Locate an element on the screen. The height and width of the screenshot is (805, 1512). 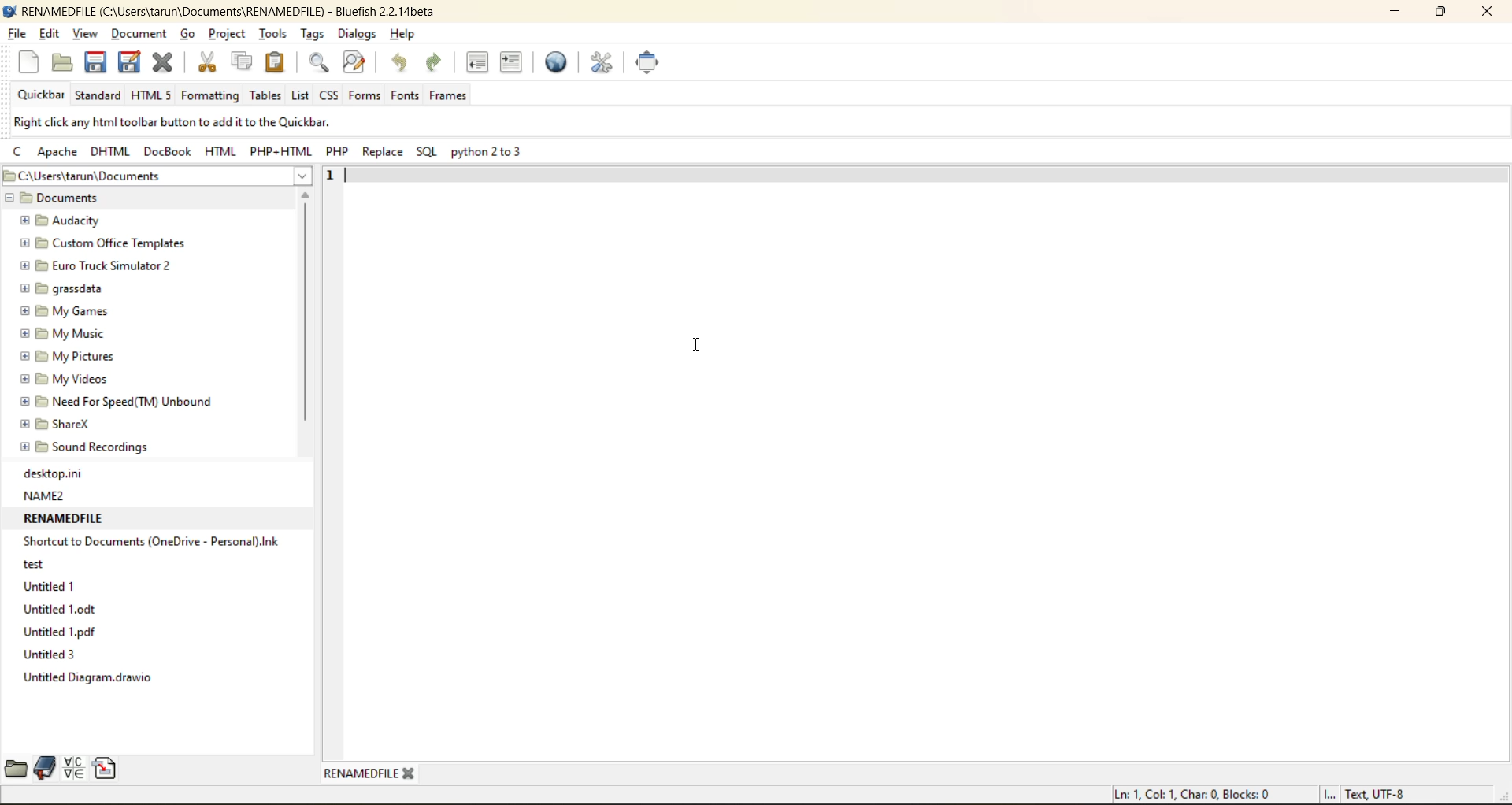
Untitled 1.pdf is located at coordinates (68, 633).